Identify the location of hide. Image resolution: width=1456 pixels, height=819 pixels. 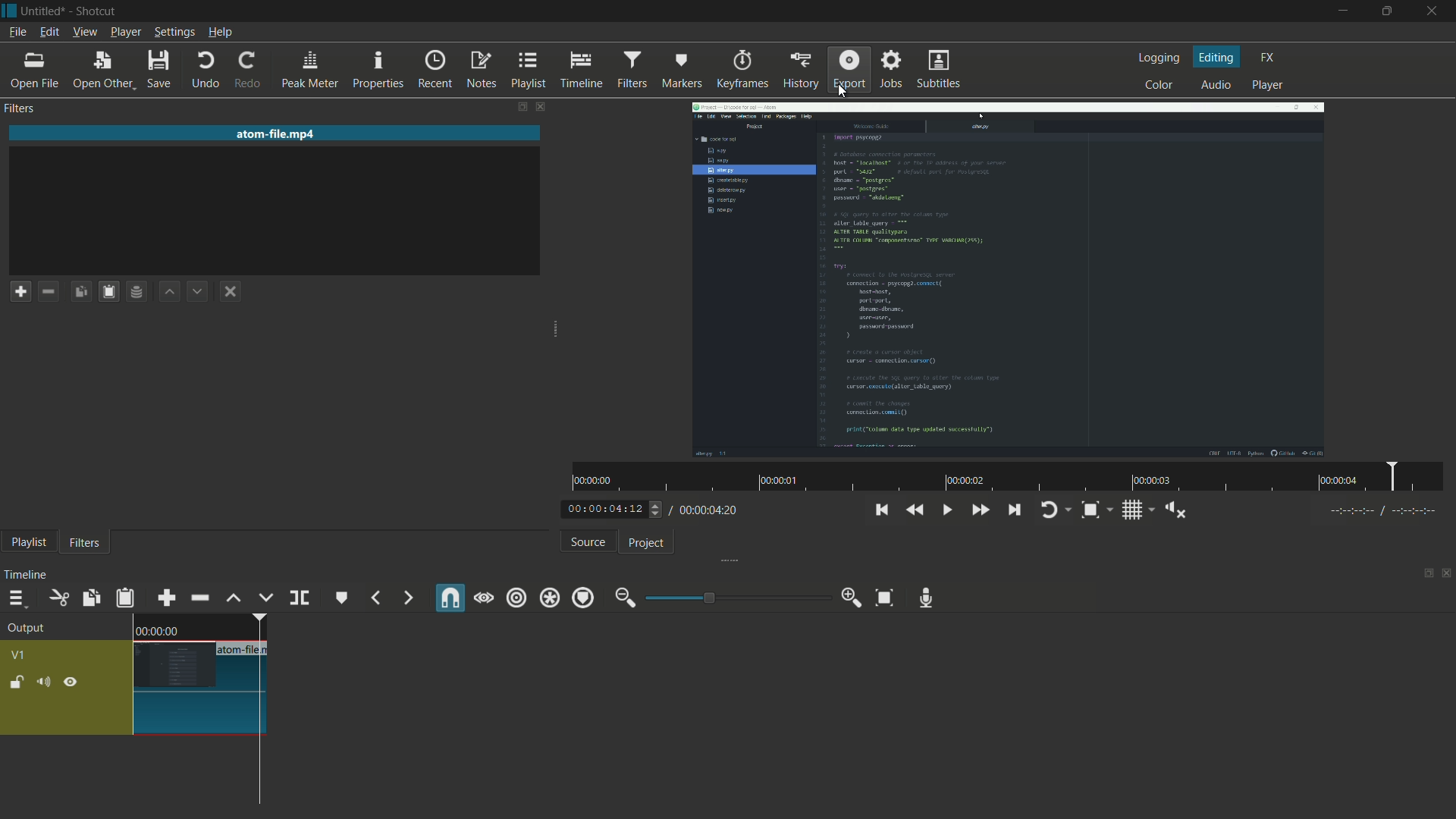
(74, 682).